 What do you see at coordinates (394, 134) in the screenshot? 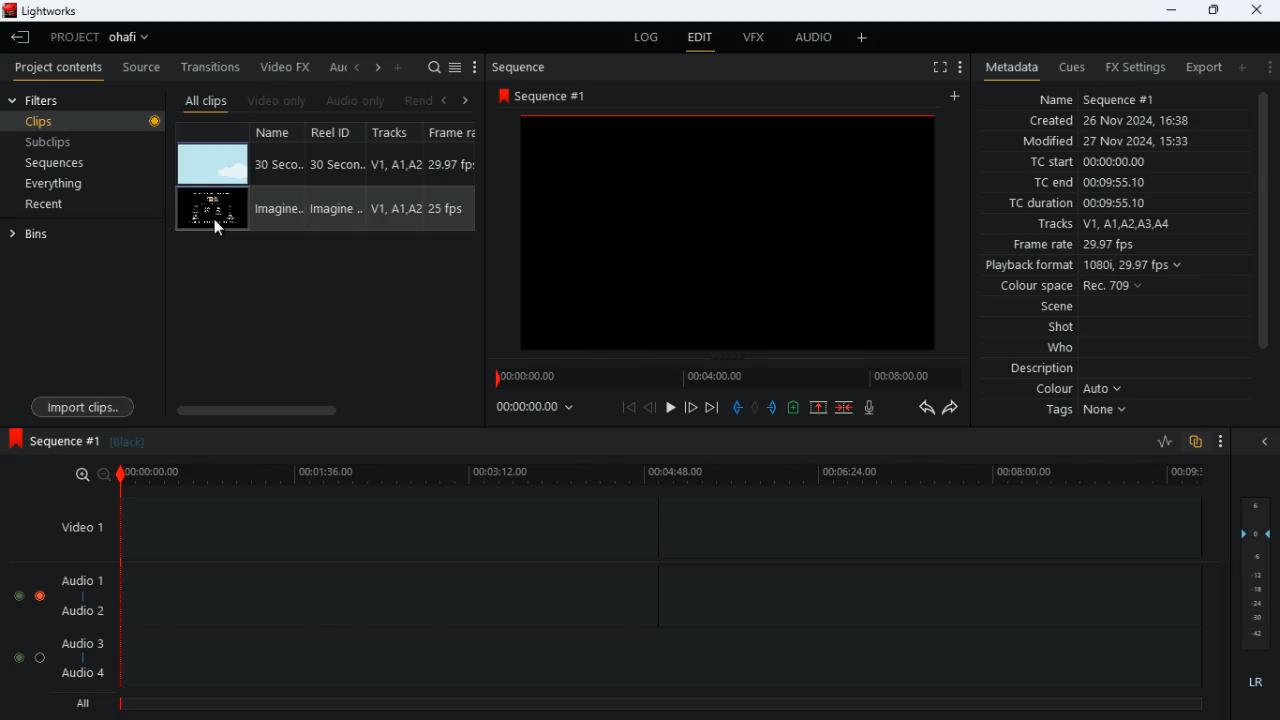
I see `tracks` at bounding box center [394, 134].